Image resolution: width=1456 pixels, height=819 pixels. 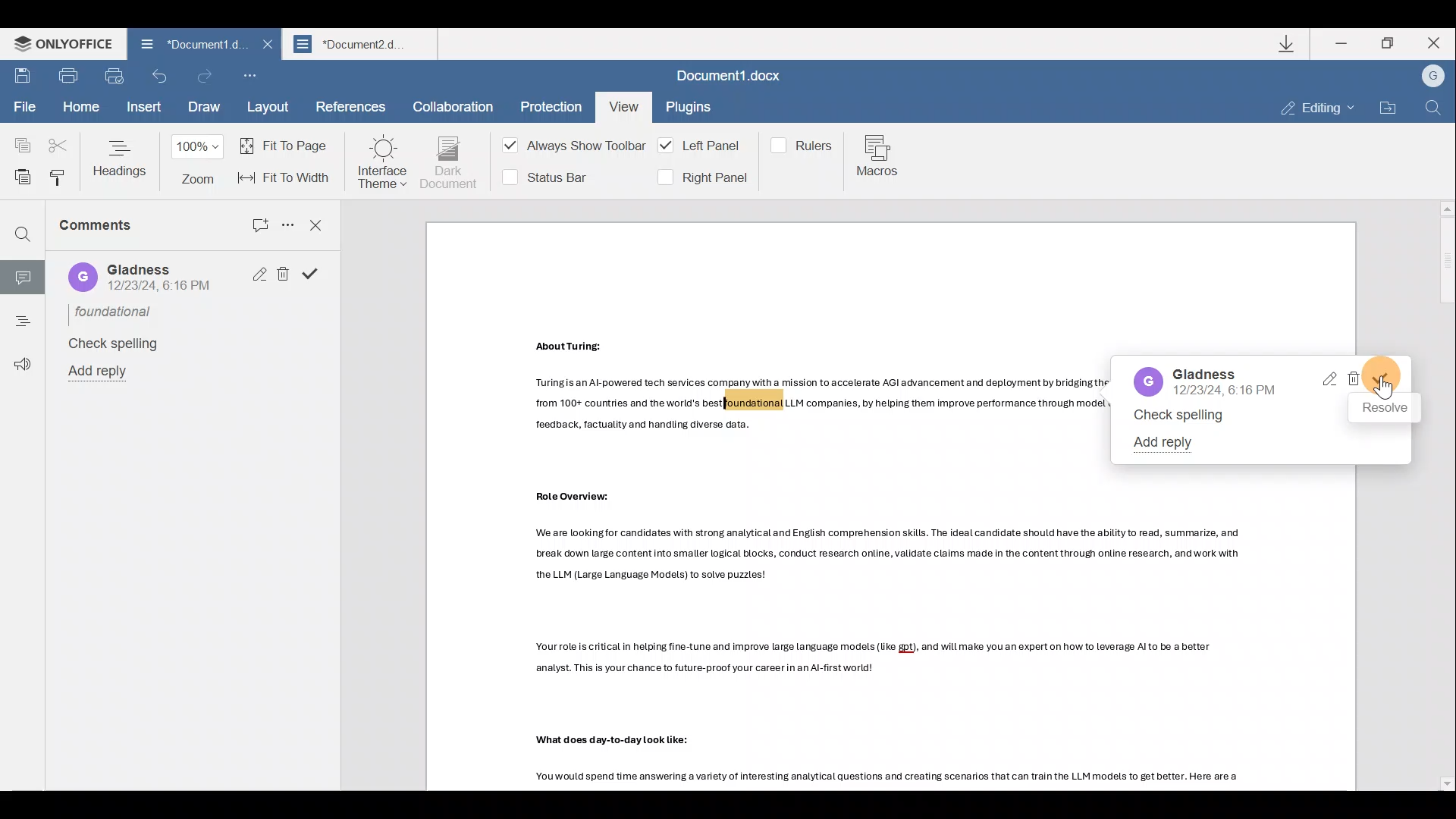 What do you see at coordinates (364, 46) in the screenshot?
I see `Document2.d..` at bounding box center [364, 46].